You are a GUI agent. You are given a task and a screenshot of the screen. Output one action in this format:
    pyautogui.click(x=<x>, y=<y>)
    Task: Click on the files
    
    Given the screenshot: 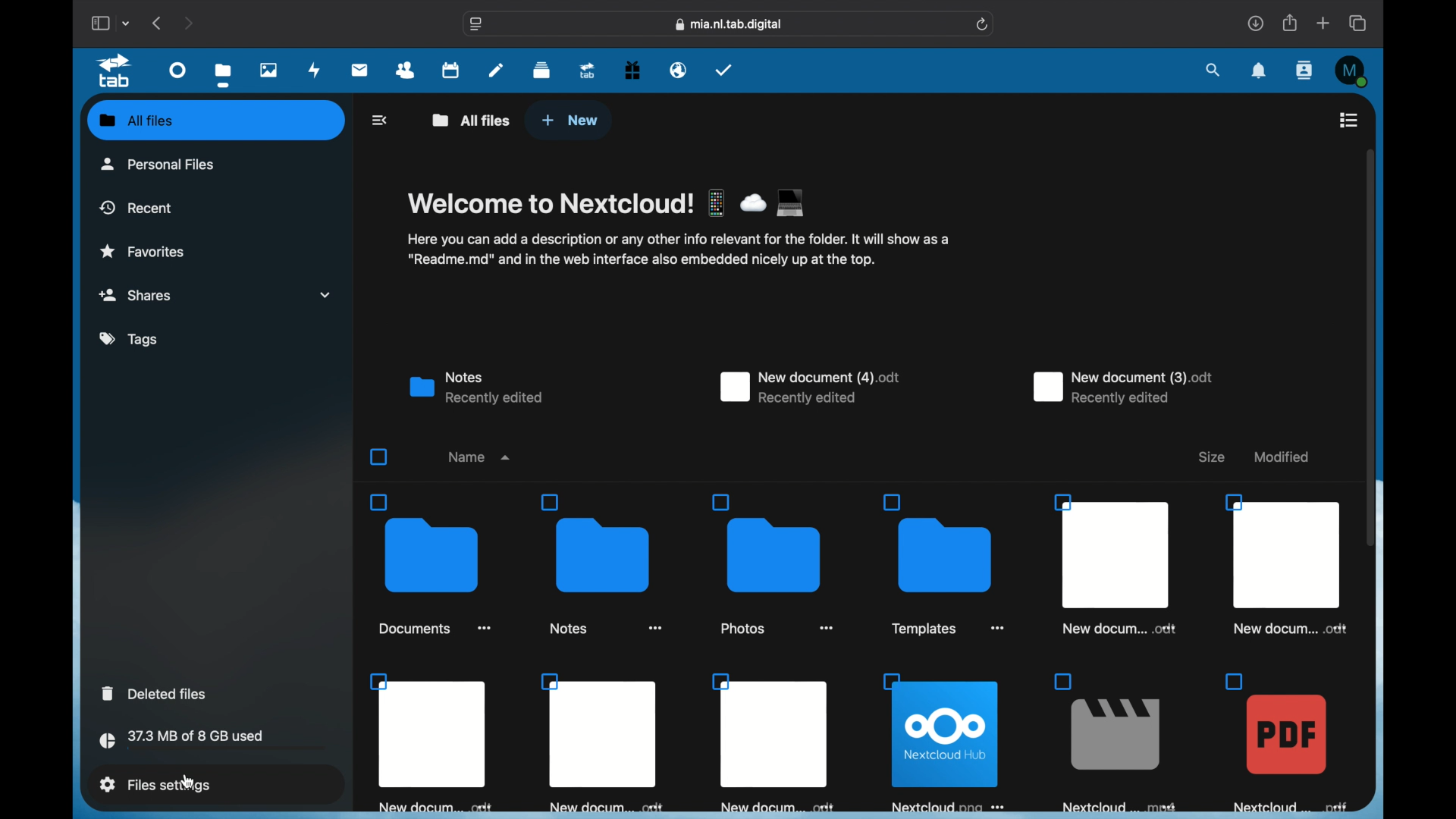 What is the action you would take?
    pyautogui.click(x=223, y=75)
    